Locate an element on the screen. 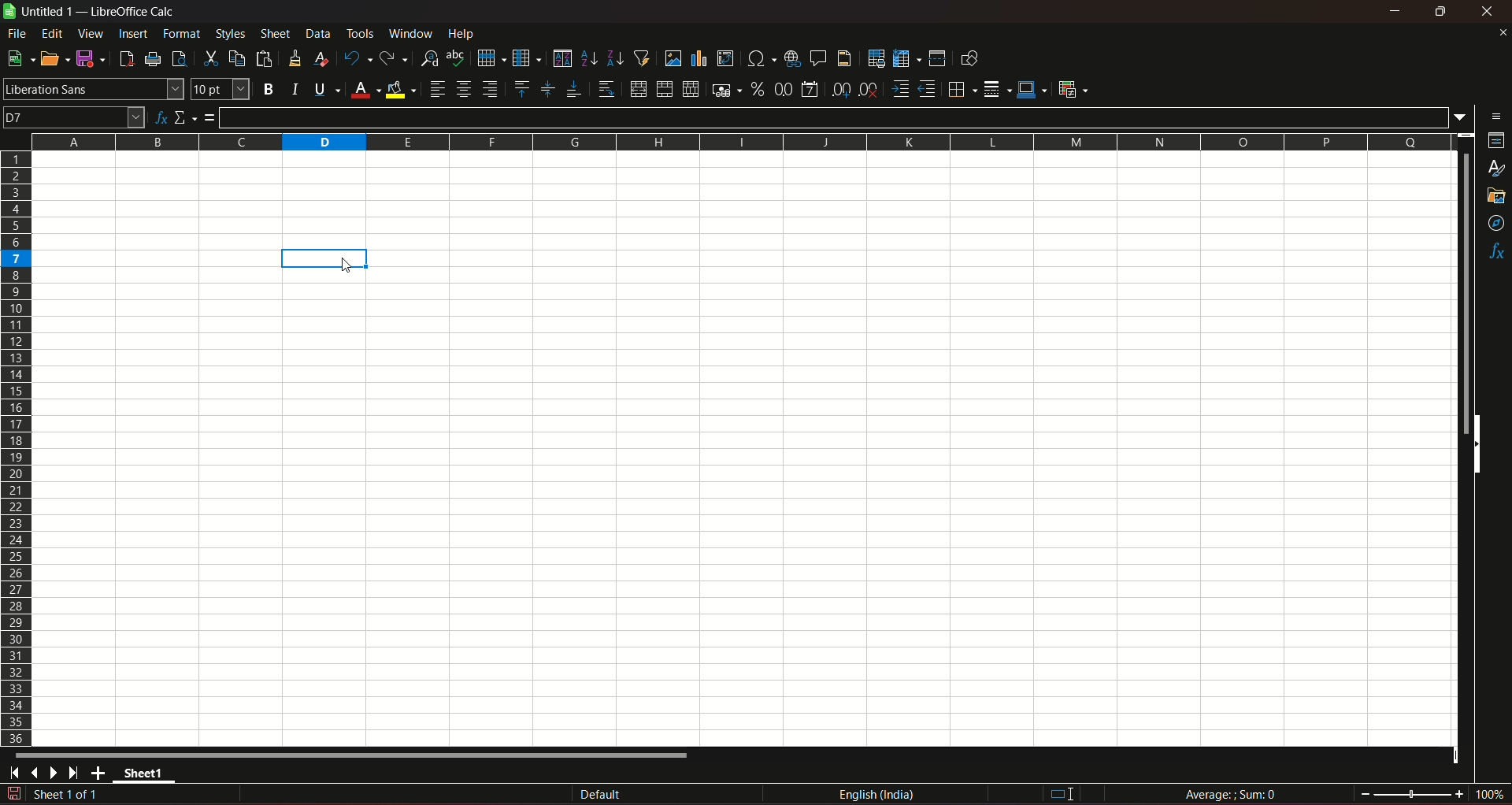 This screenshot has width=1512, height=805. insert special character is located at coordinates (759, 57).